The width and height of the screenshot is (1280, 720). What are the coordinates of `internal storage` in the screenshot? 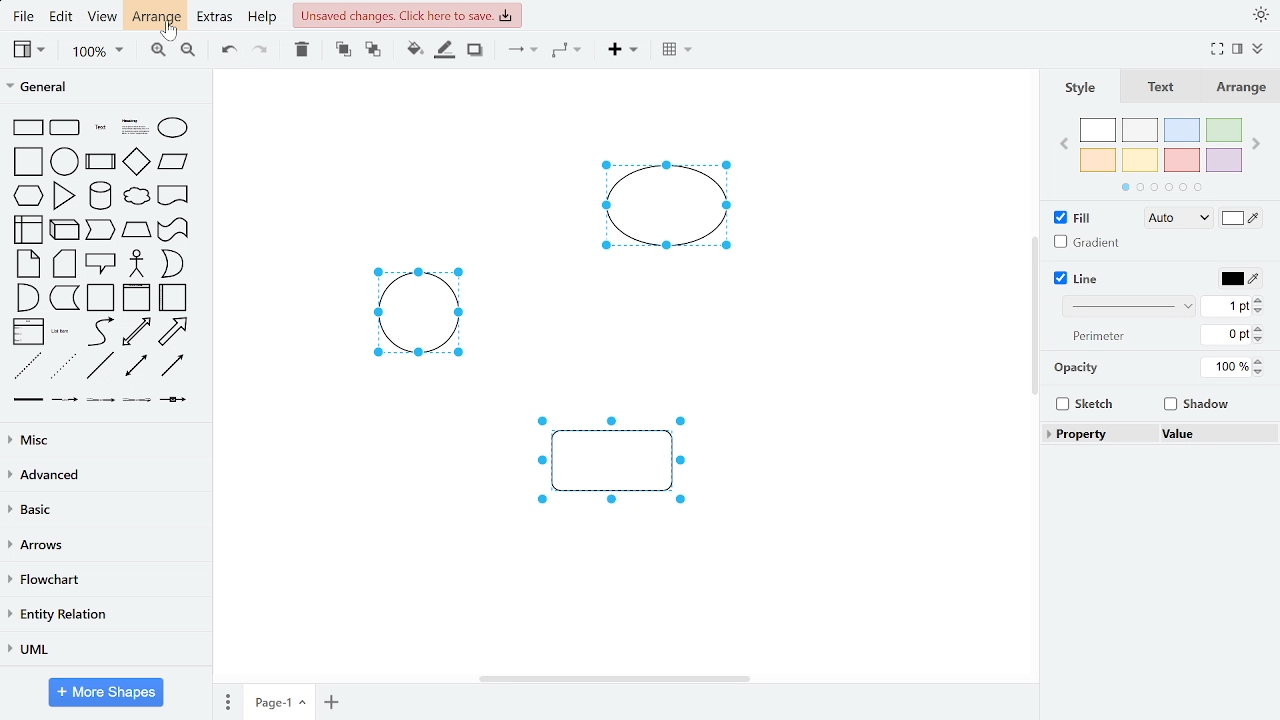 It's located at (31, 229).